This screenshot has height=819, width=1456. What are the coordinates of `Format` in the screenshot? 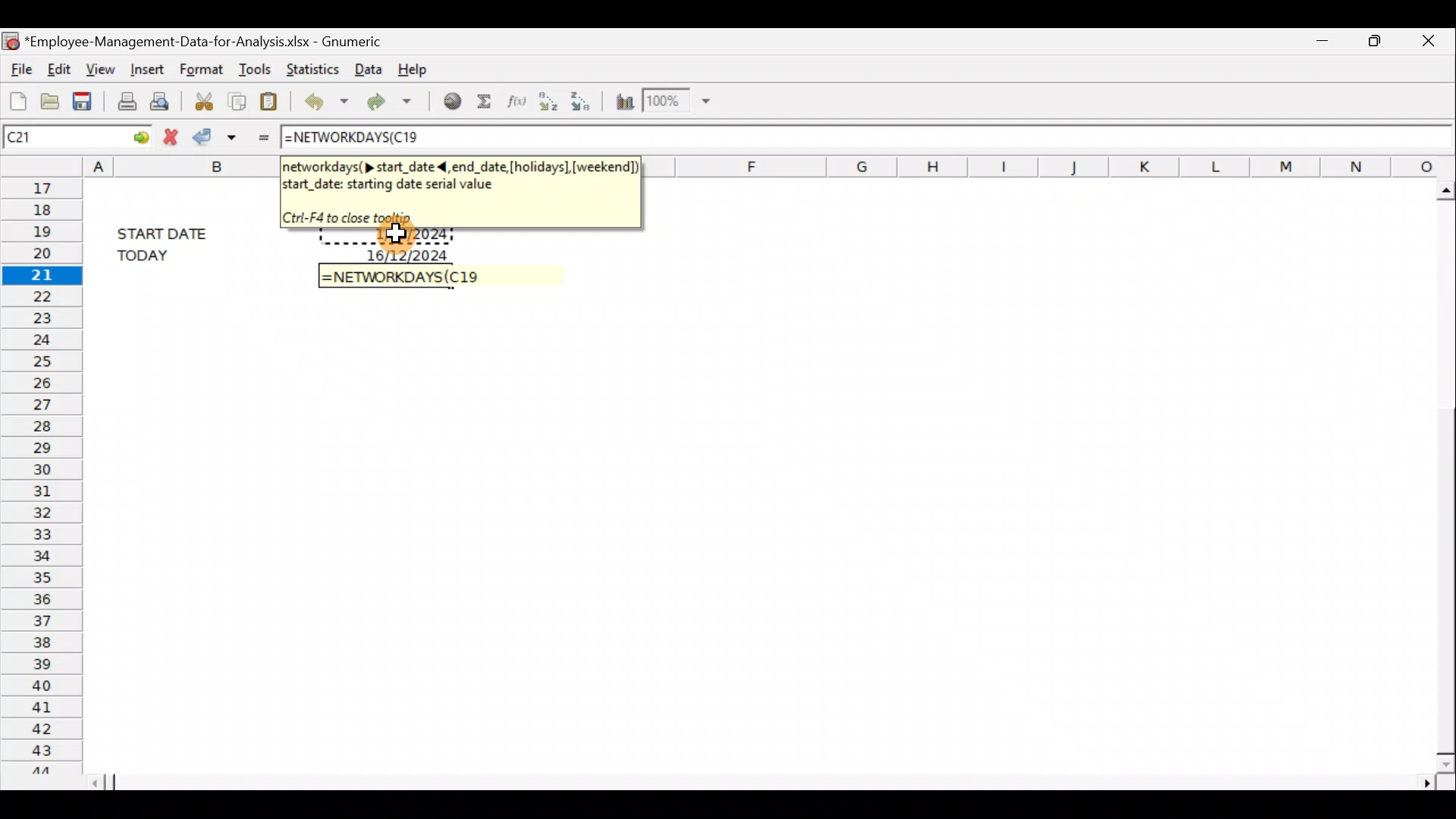 It's located at (203, 67).